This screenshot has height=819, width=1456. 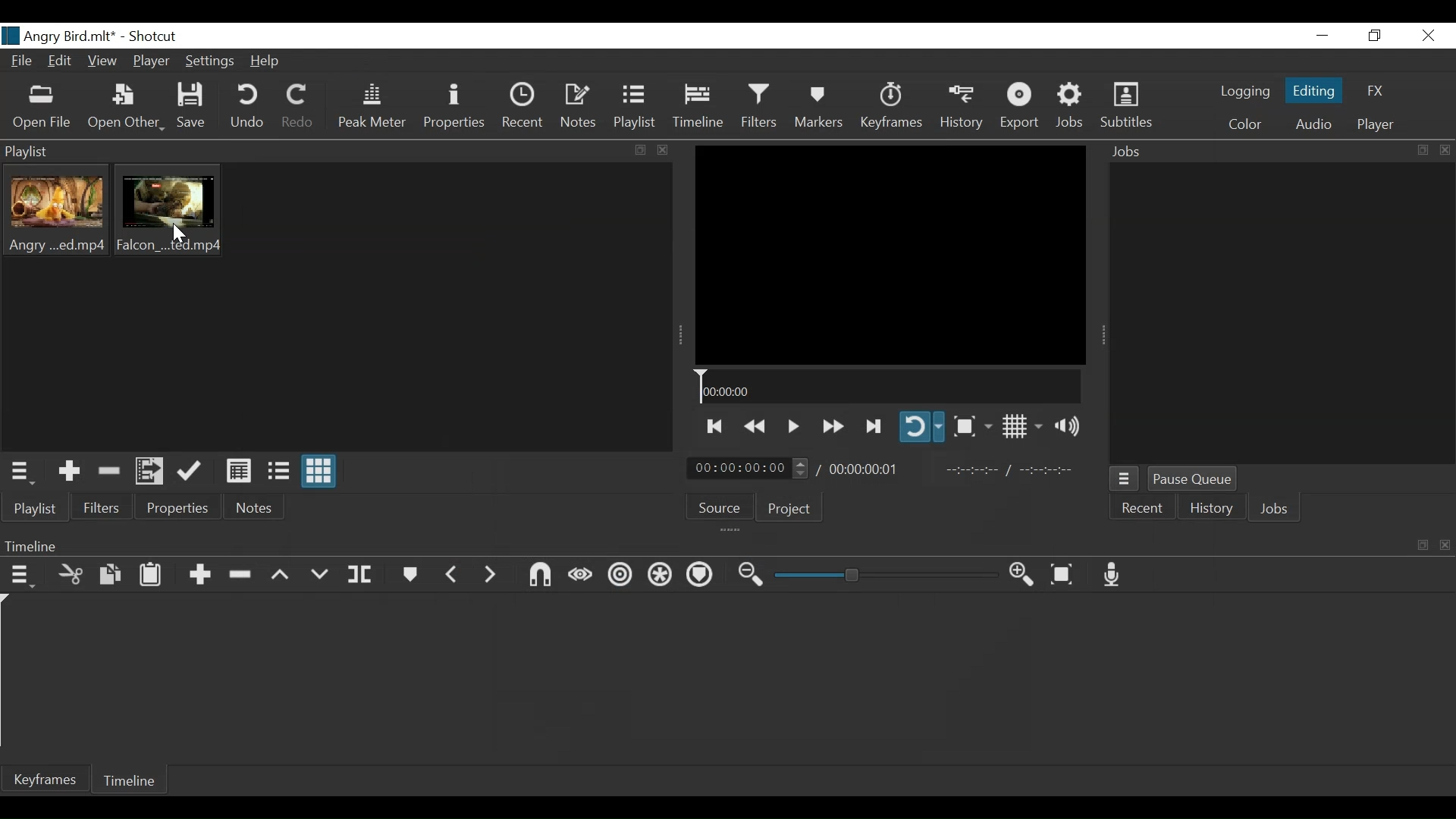 I want to click on Skip to the next point, so click(x=874, y=427).